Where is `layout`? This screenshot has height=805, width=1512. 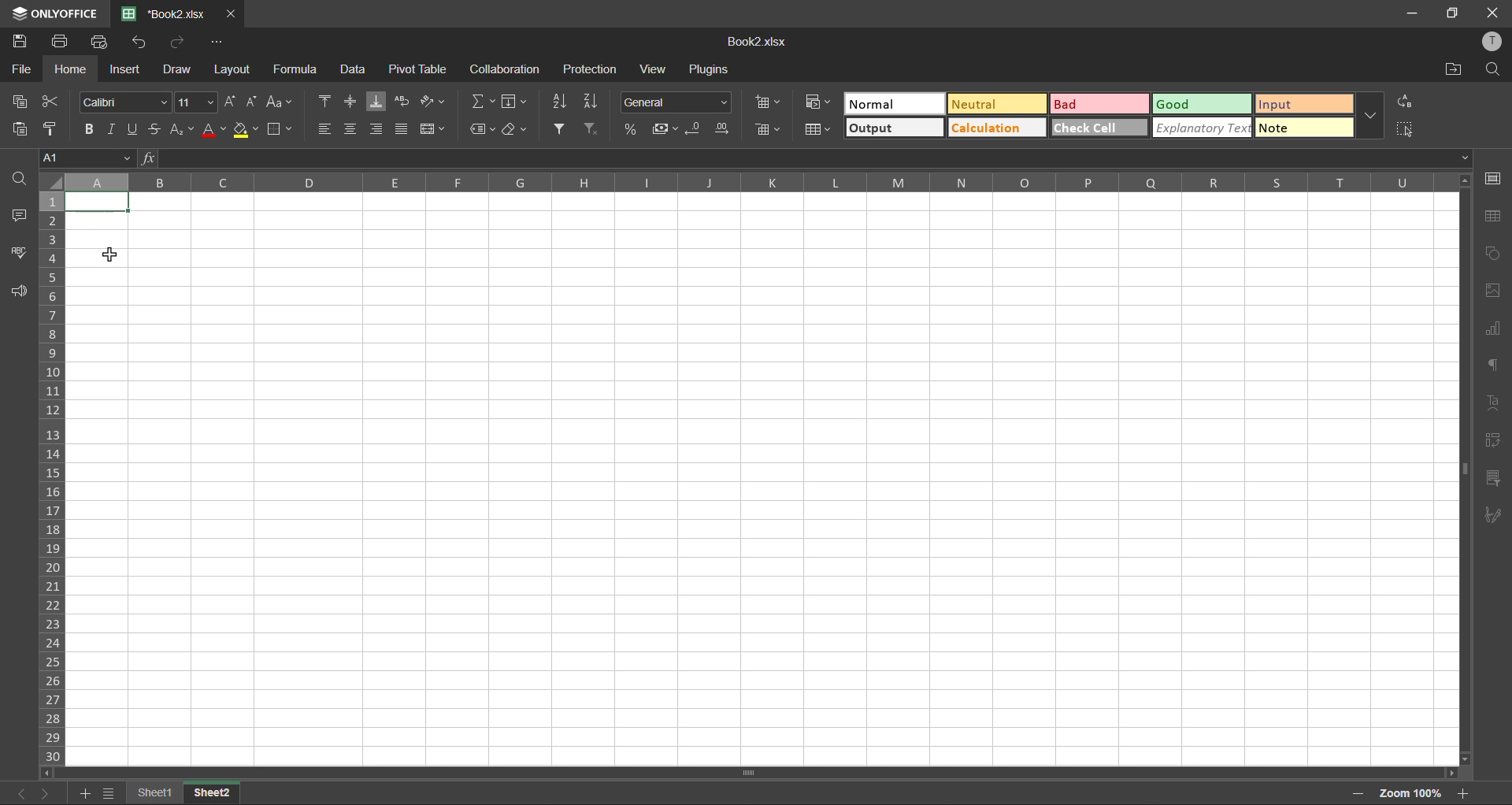 layout is located at coordinates (235, 69).